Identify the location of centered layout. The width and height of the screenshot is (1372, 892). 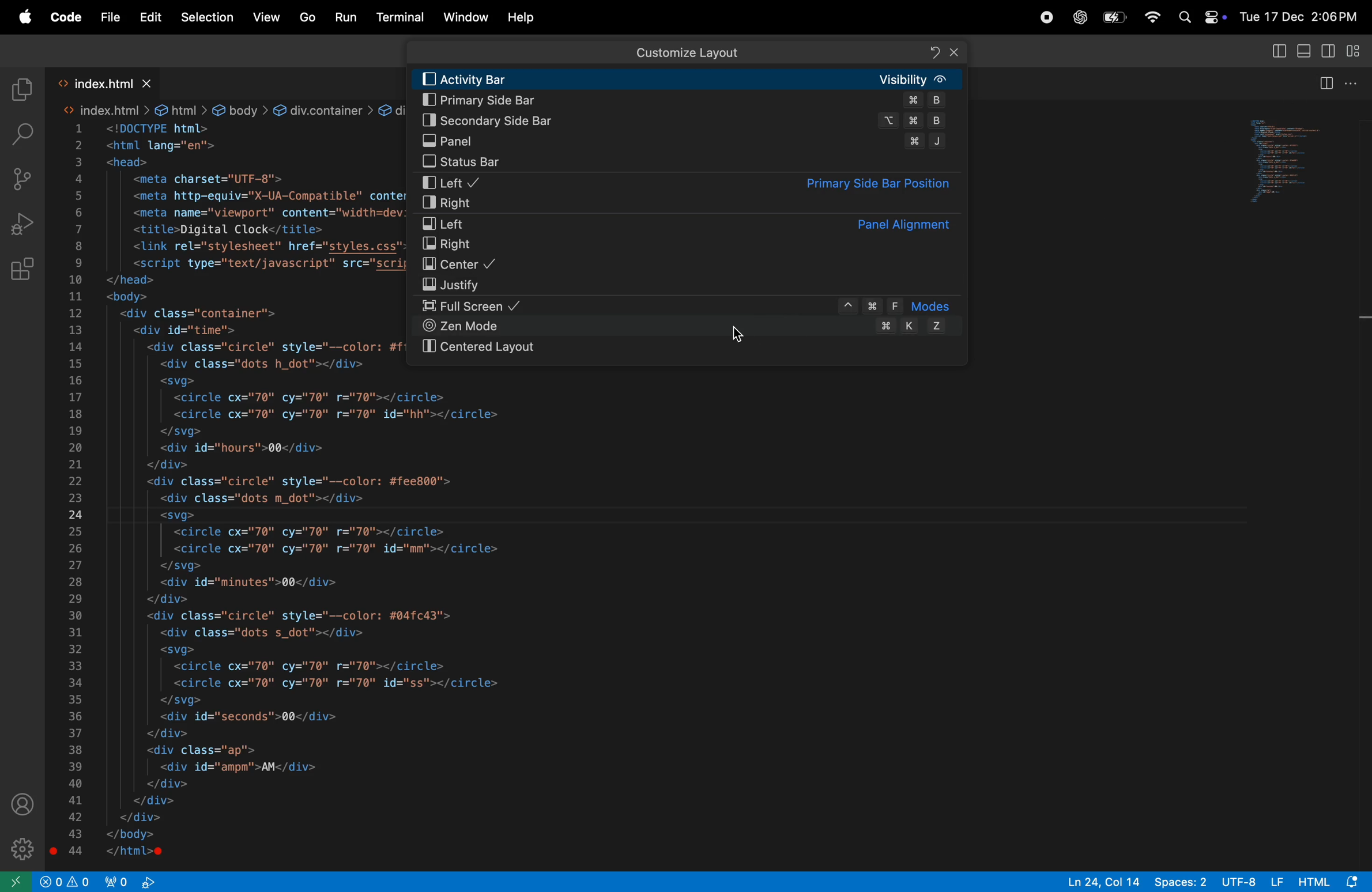
(688, 348).